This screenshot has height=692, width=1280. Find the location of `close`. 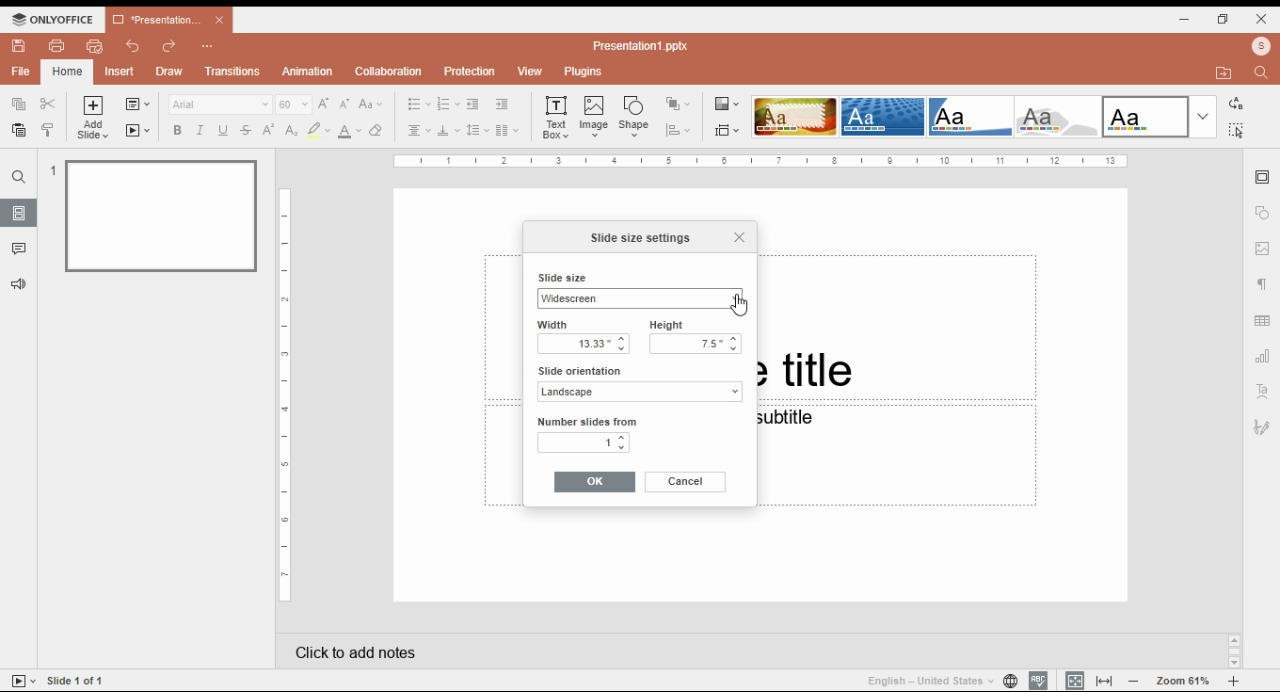

close is located at coordinates (1262, 18).